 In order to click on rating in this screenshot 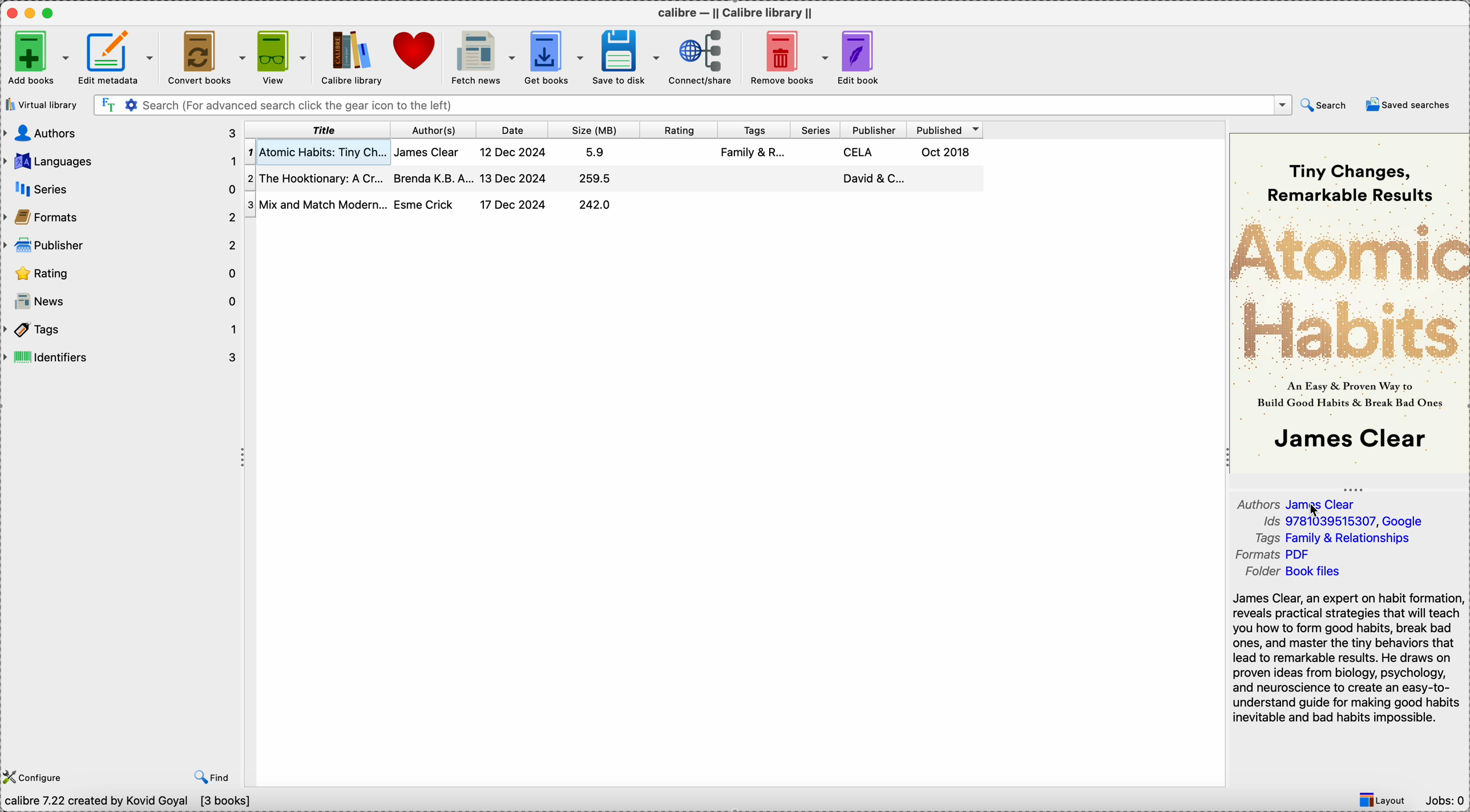, I will do `click(120, 274)`.